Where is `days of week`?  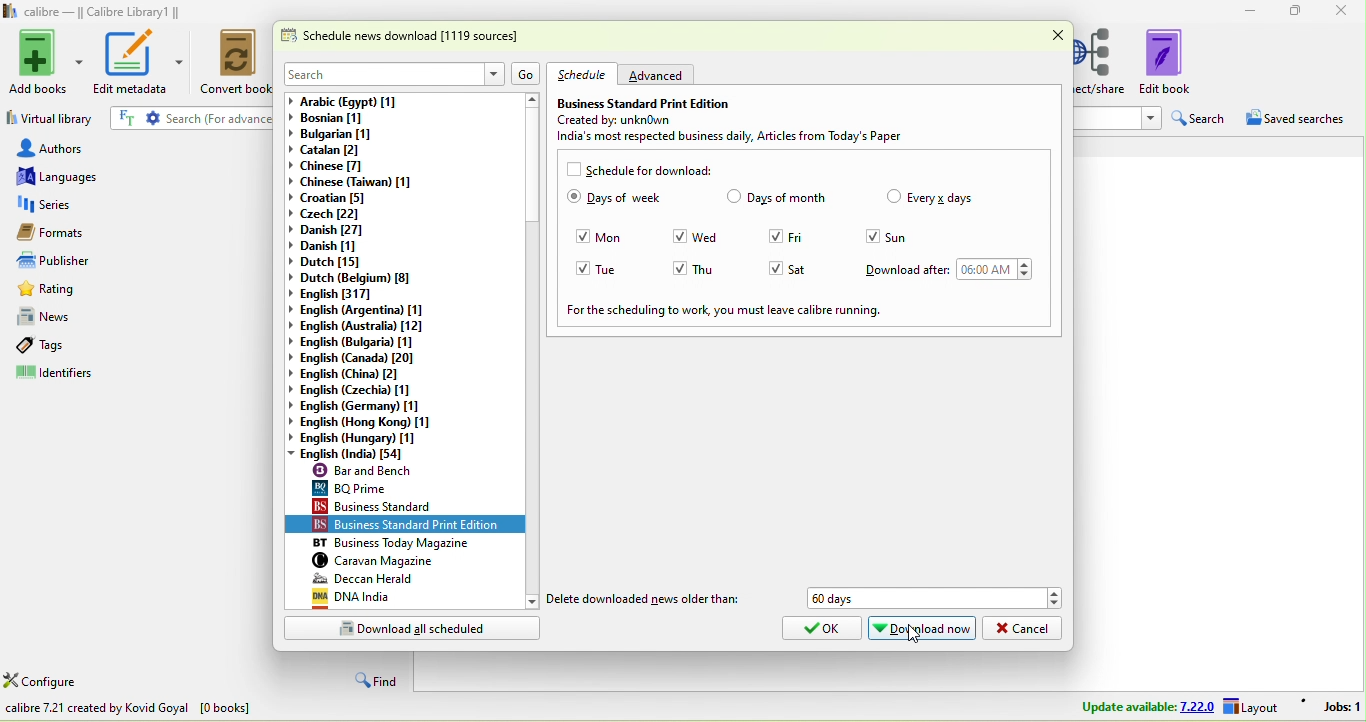 days of week is located at coordinates (627, 200).